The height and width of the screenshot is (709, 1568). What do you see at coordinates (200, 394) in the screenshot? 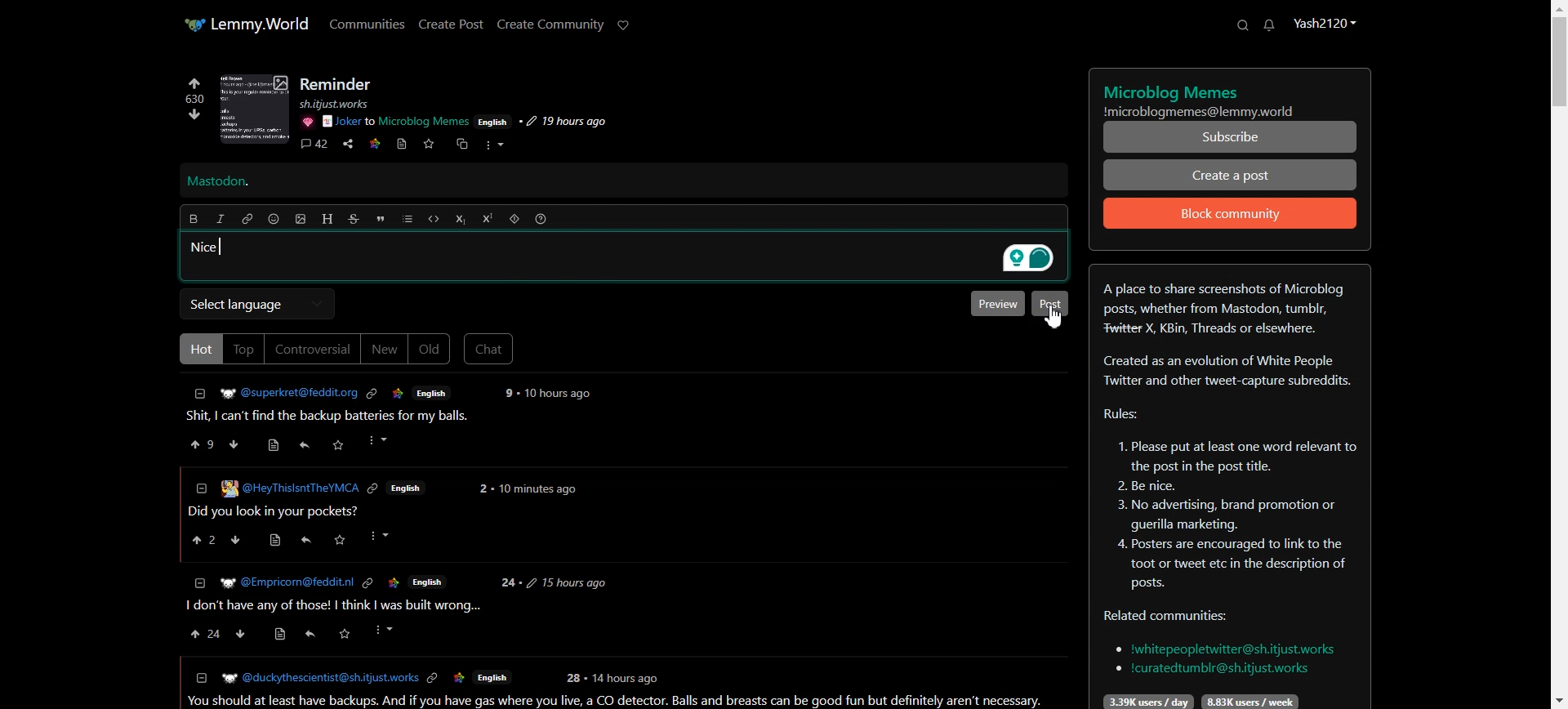
I see `Collapse` at bounding box center [200, 394].